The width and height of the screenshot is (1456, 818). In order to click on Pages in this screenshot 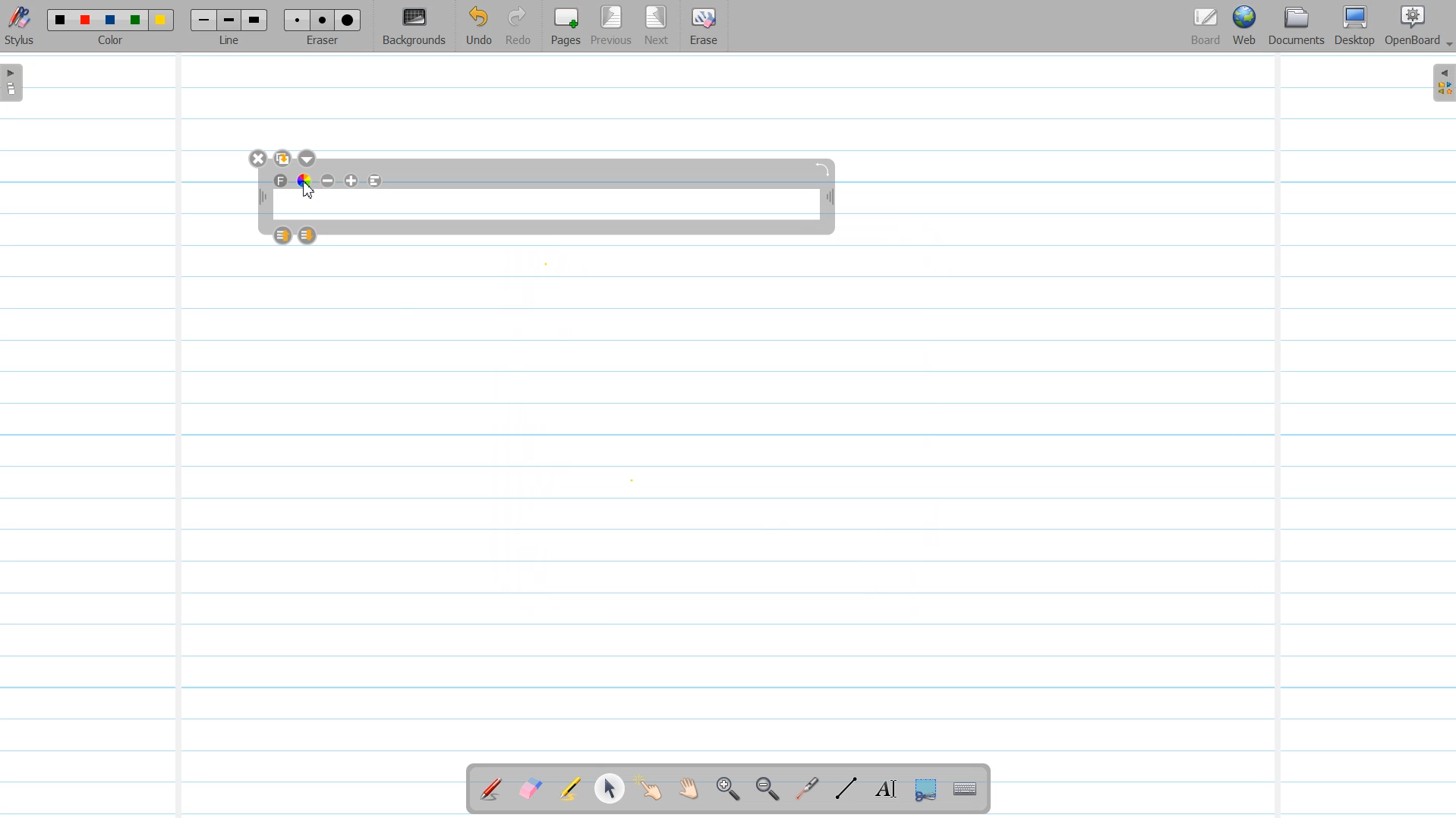, I will do `click(564, 26)`.